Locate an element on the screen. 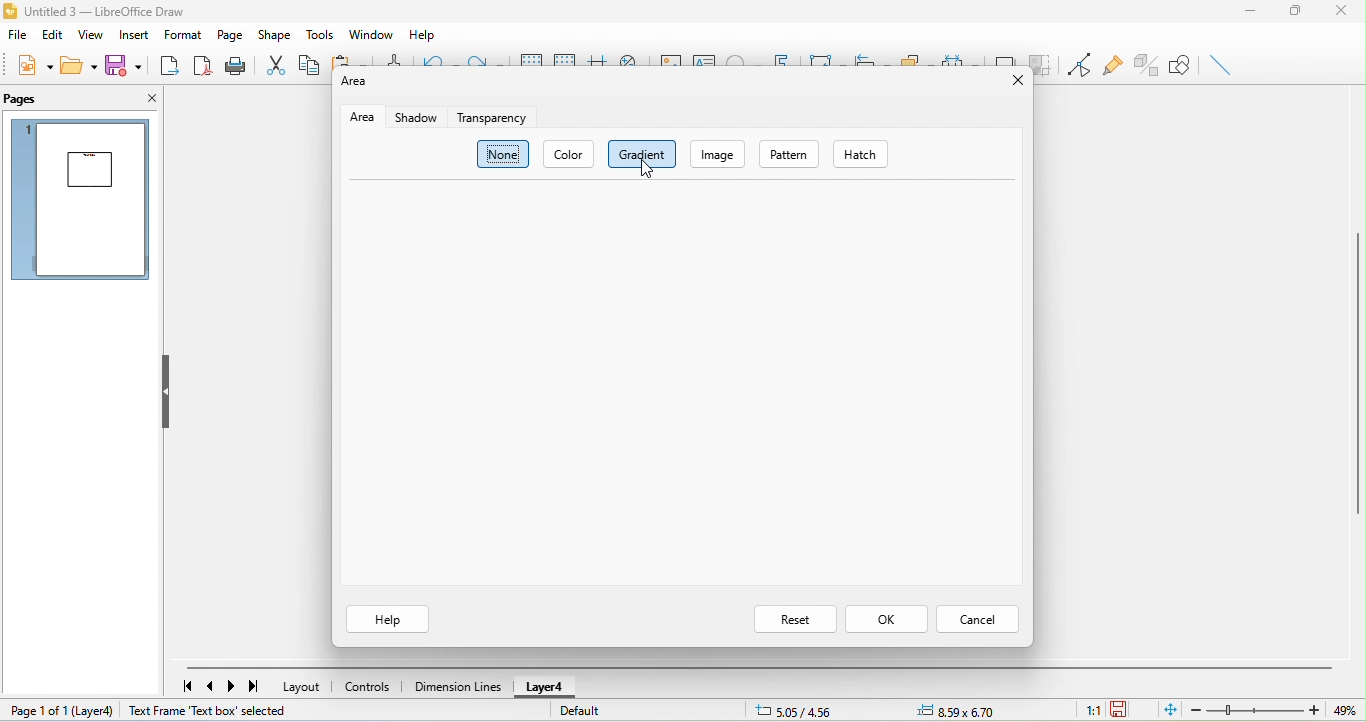 This screenshot has height=722, width=1366. insert line is located at coordinates (1224, 65).